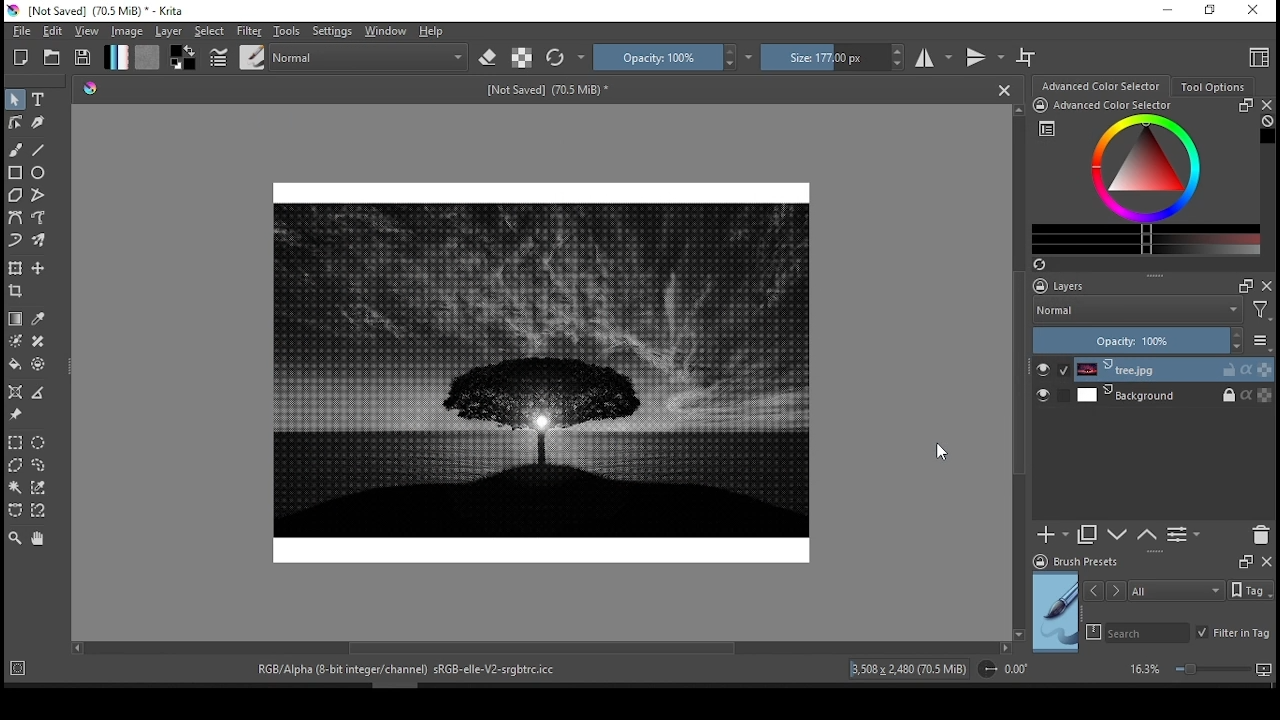  I want to click on measure the distance between two points, so click(38, 393).